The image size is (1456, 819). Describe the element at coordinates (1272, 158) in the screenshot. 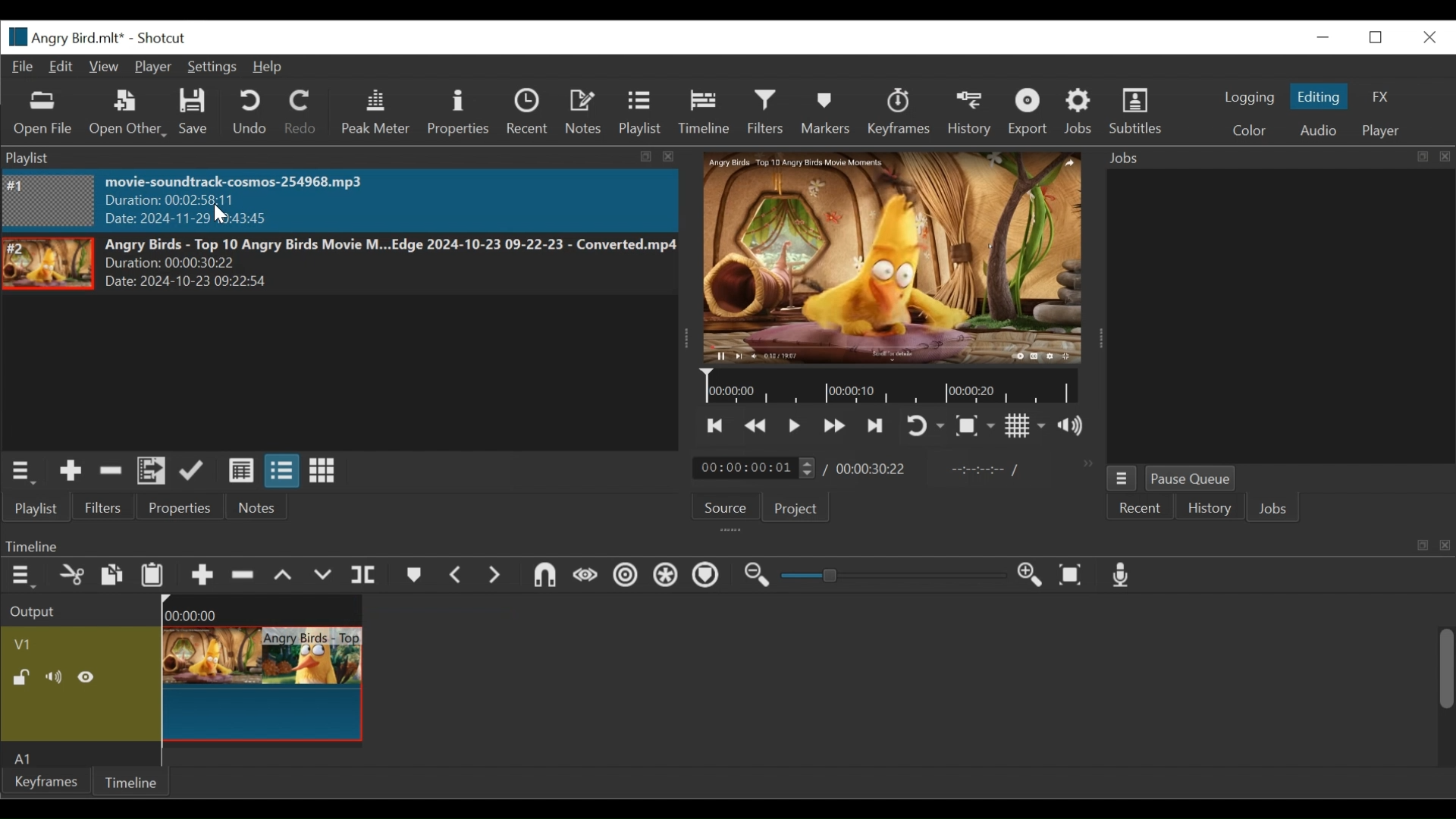

I see `Jobs Panel` at that location.